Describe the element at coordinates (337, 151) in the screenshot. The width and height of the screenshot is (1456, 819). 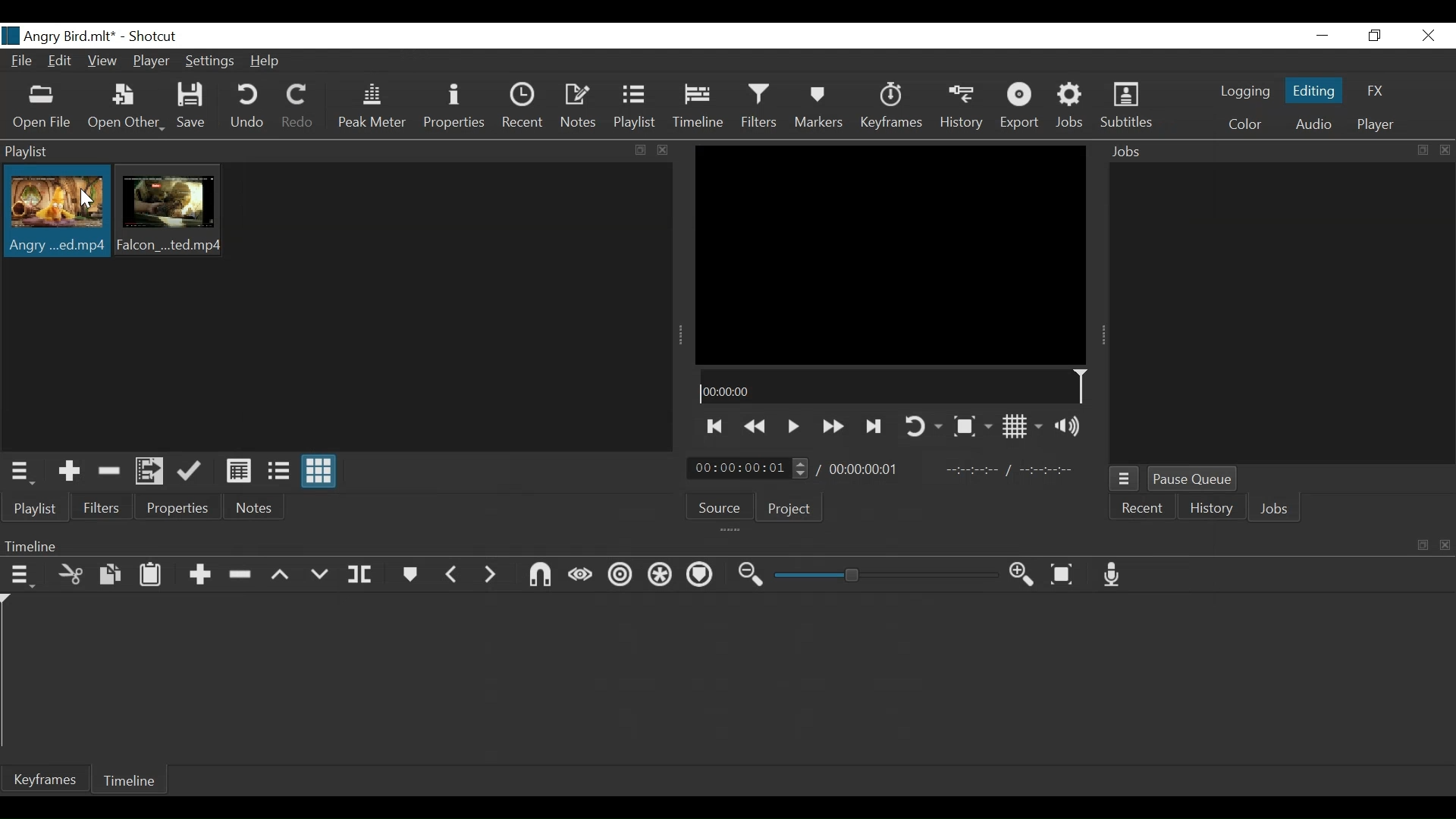
I see `Playlist Panel` at that location.